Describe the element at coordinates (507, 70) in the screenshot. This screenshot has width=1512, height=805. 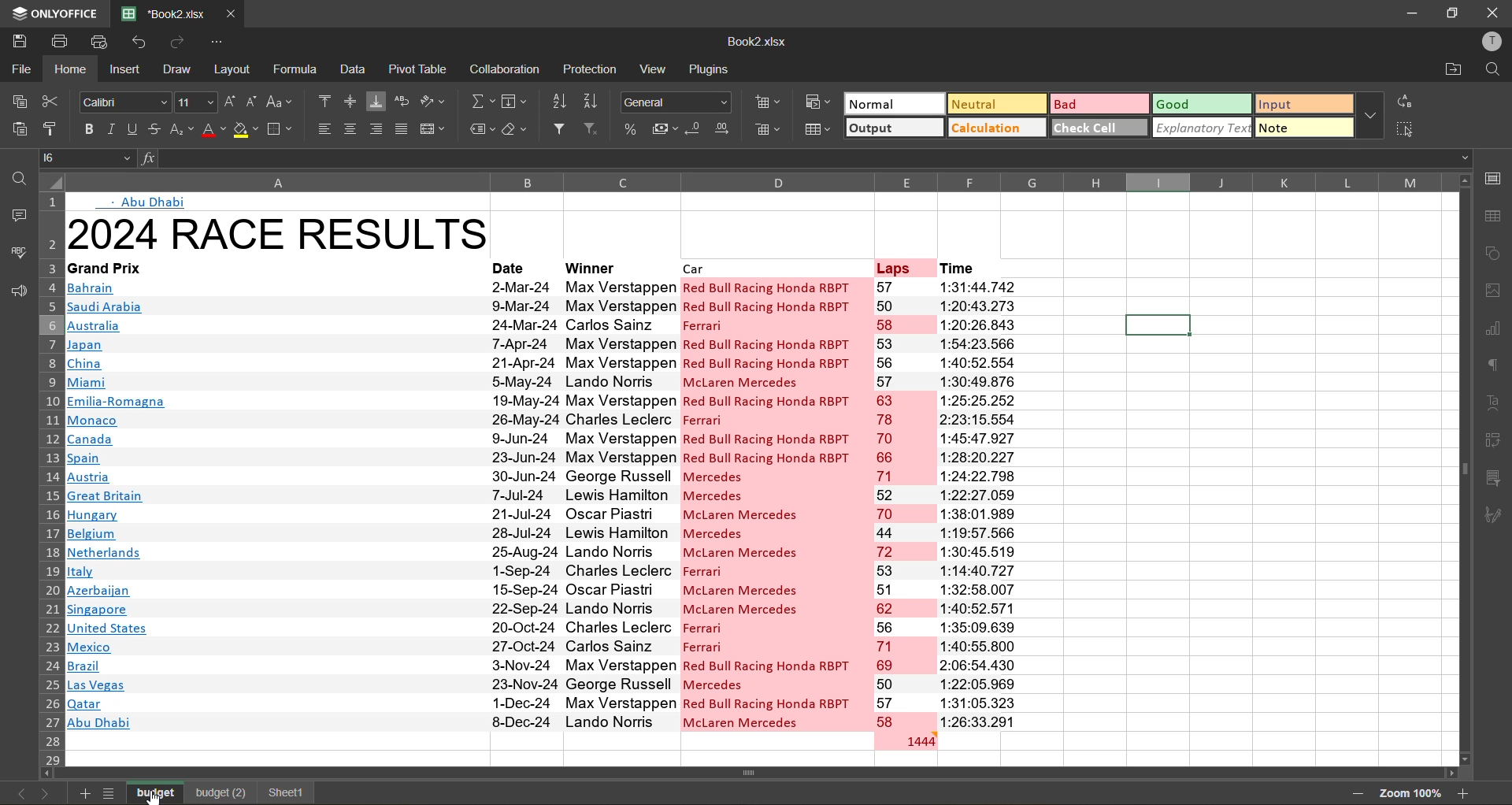
I see `collaboration` at that location.